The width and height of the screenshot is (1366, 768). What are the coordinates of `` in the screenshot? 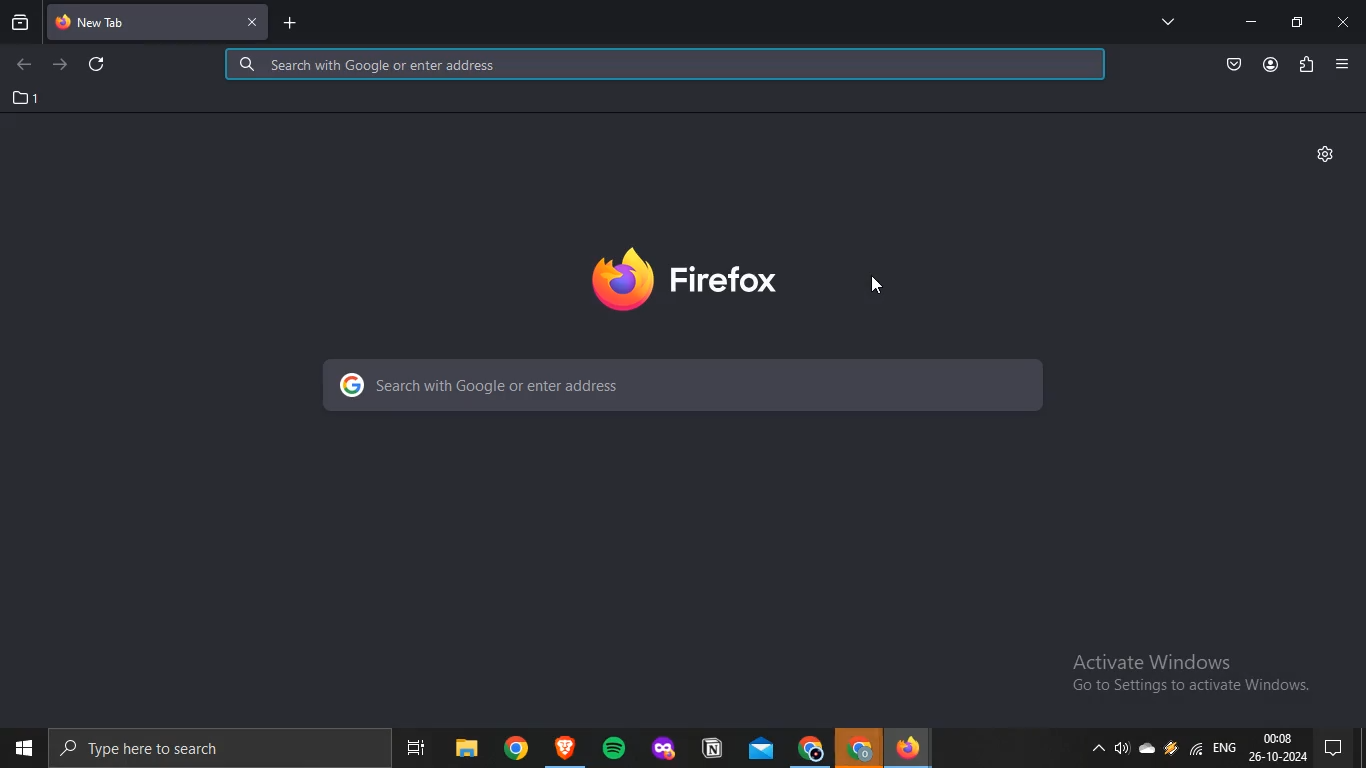 It's located at (515, 747).